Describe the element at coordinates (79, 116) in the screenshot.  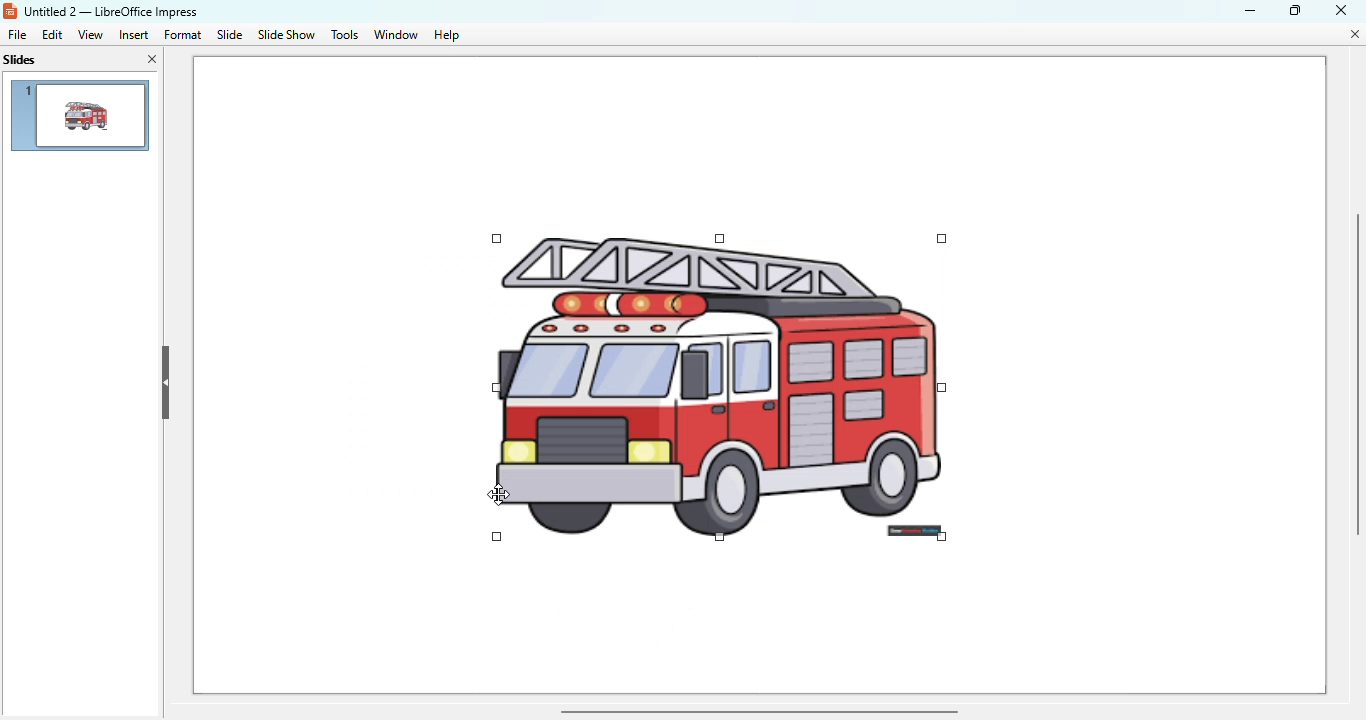
I see `slide 1 preview modified` at that location.